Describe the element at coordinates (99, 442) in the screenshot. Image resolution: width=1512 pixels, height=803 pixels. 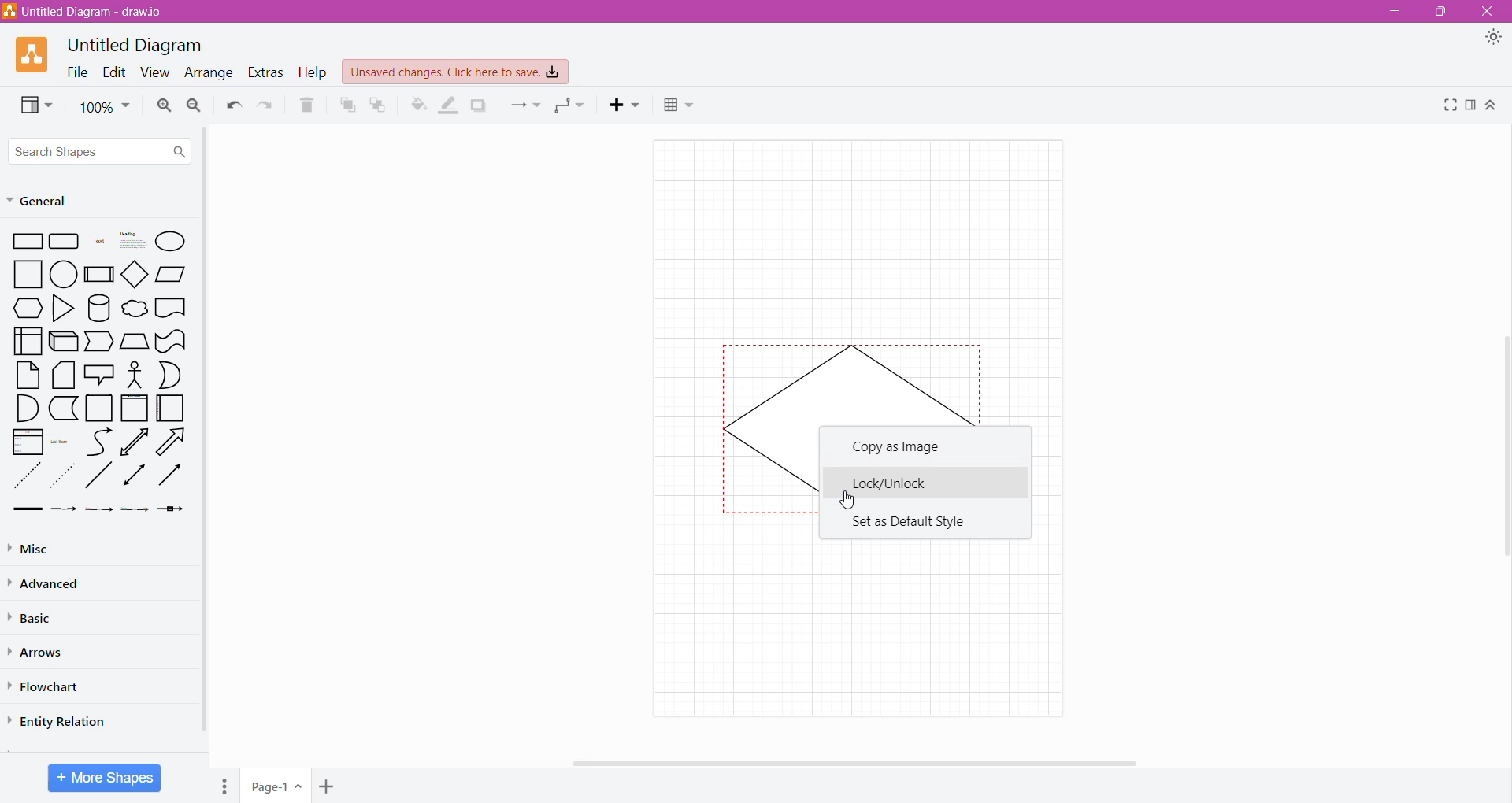
I see `Curves` at that location.